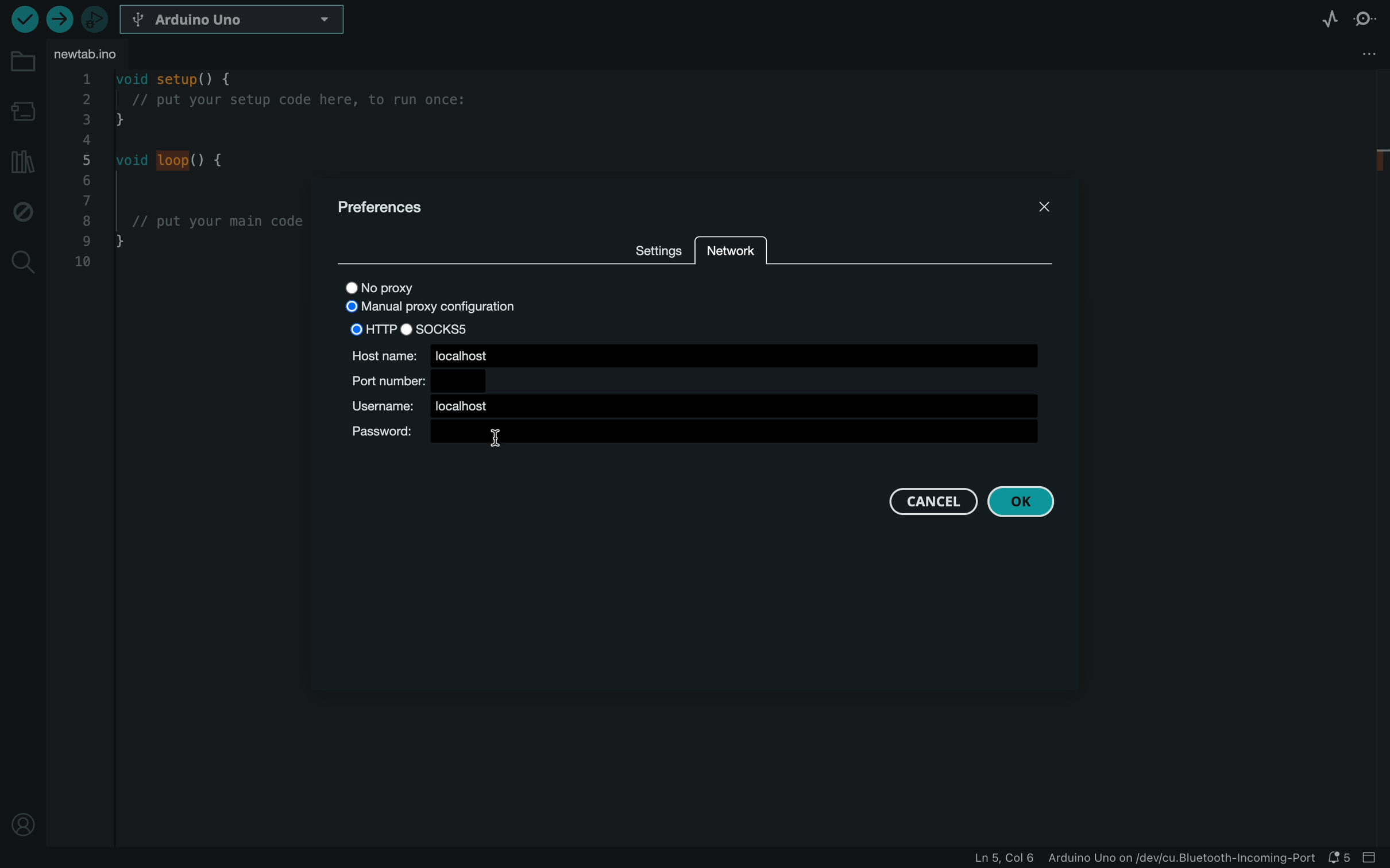  What do you see at coordinates (1029, 503) in the screenshot?
I see `ok` at bounding box center [1029, 503].